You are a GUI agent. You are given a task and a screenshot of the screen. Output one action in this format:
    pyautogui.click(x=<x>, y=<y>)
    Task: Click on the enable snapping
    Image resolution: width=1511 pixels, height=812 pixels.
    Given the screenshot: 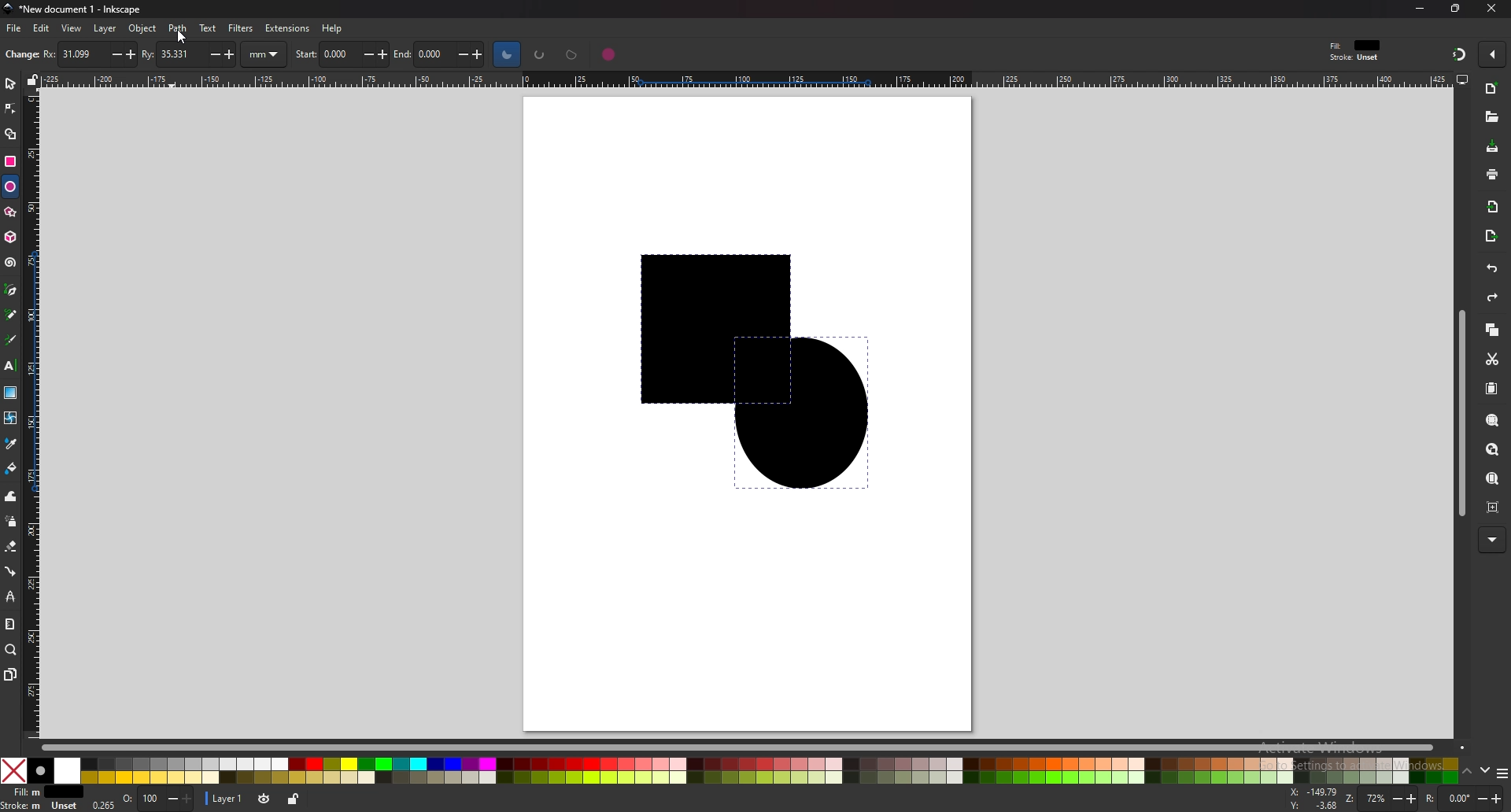 What is the action you would take?
    pyautogui.click(x=1494, y=54)
    